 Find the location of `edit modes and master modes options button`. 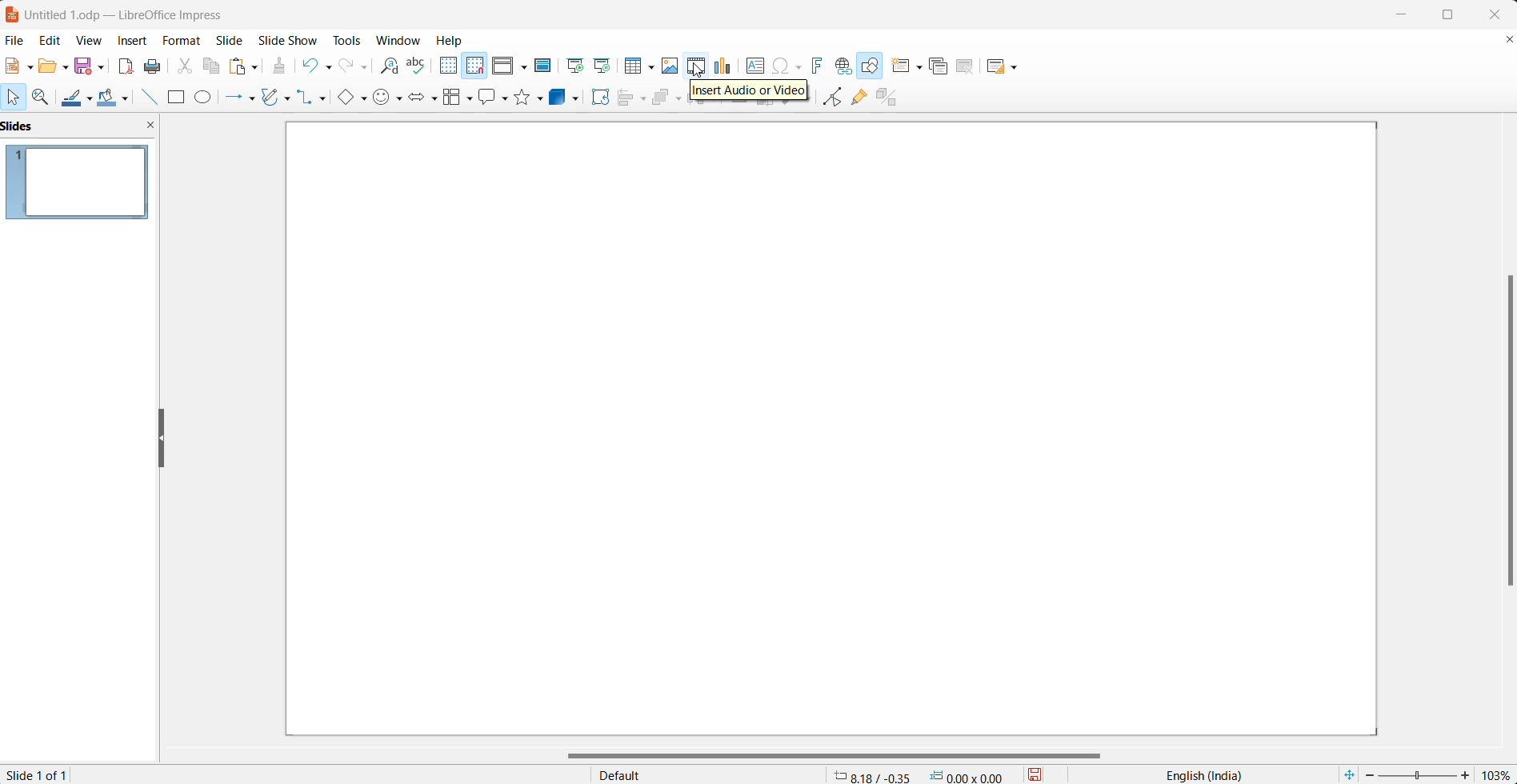

edit modes and master modes options button is located at coordinates (526, 68).